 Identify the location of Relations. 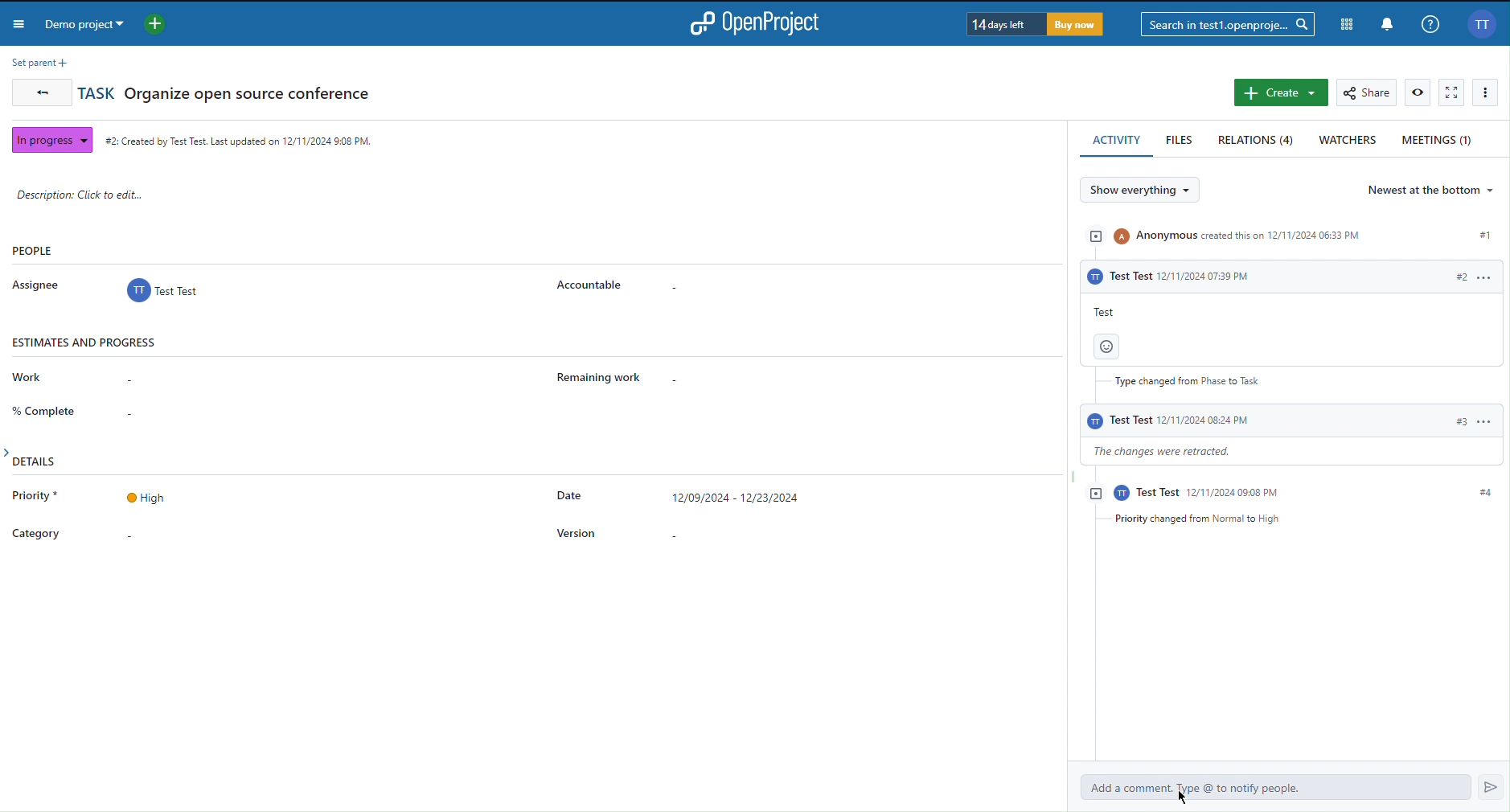
(1258, 141).